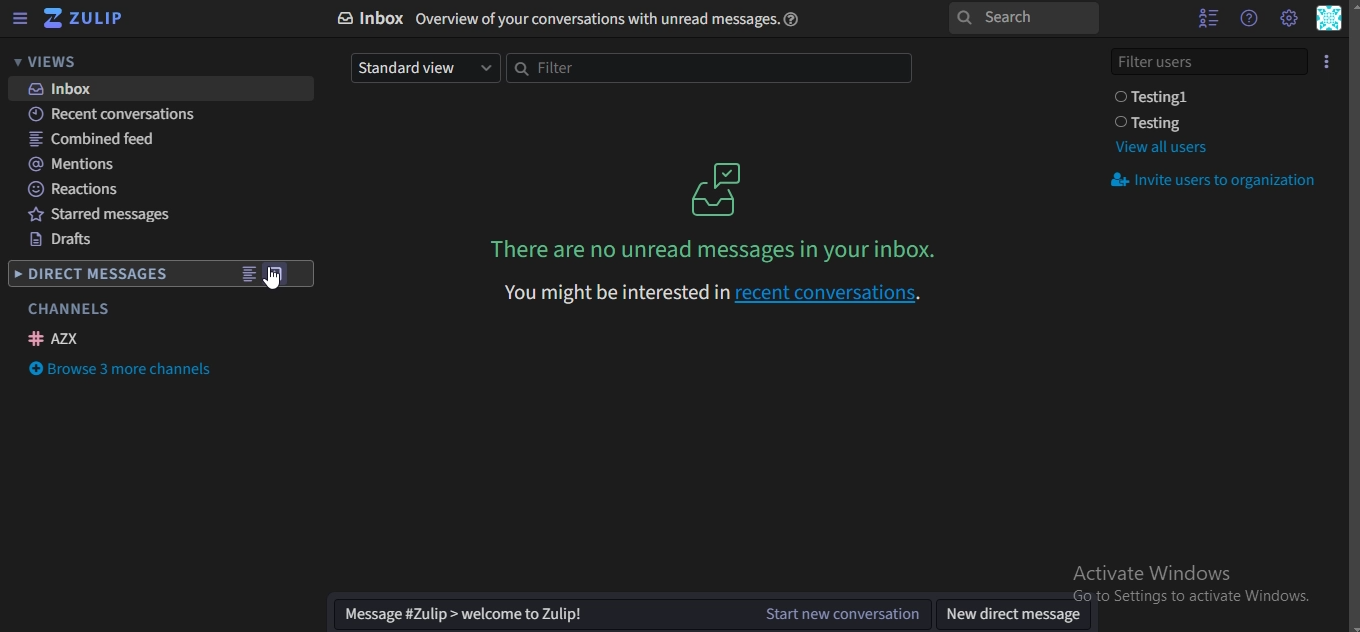 The image size is (1360, 632). Describe the element at coordinates (1248, 18) in the screenshot. I see `help menu` at that location.